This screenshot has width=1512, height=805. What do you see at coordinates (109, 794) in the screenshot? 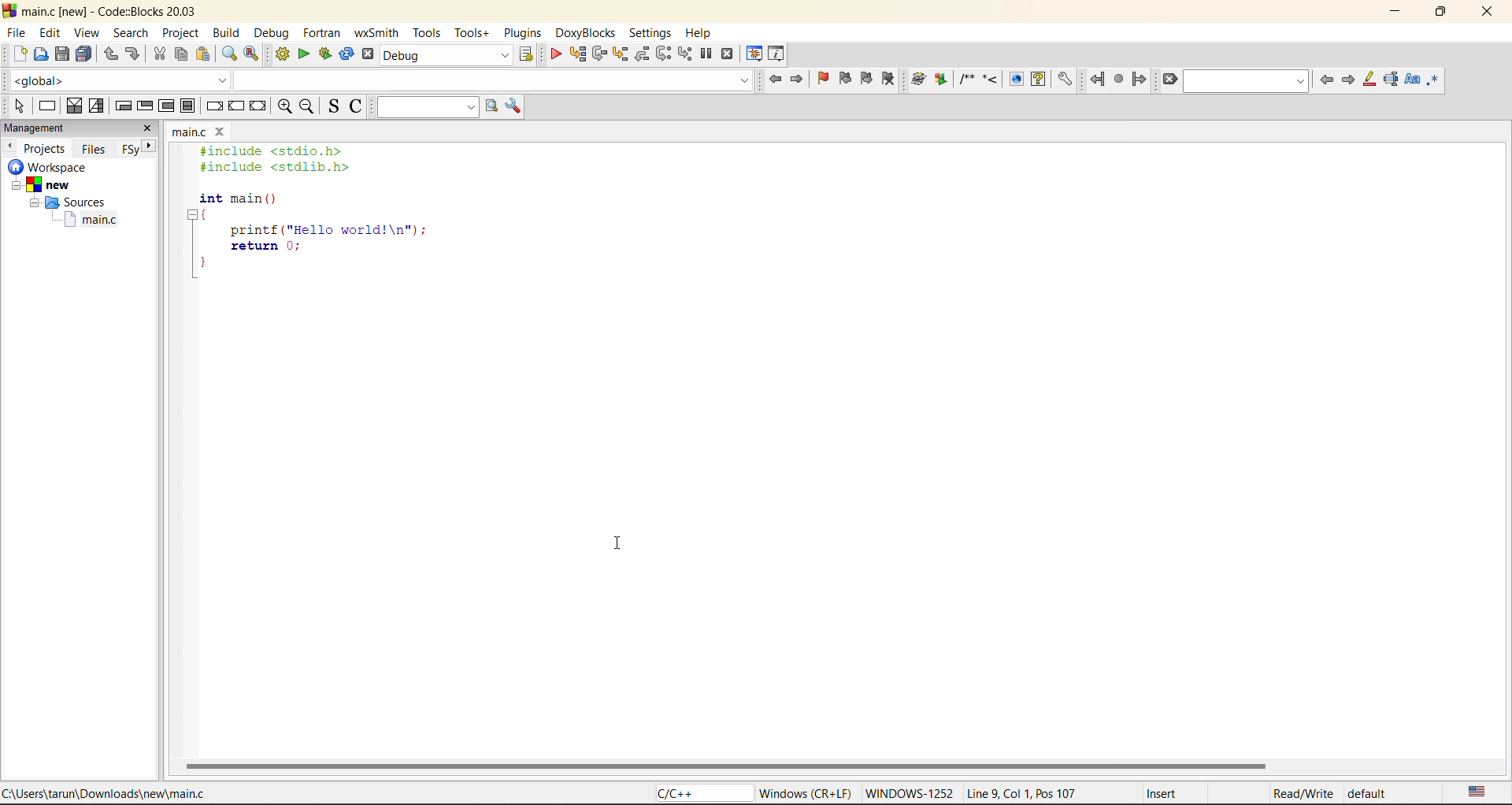
I see `C:\Users\tarun\Downloads\new\main.c` at bounding box center [109, 794].